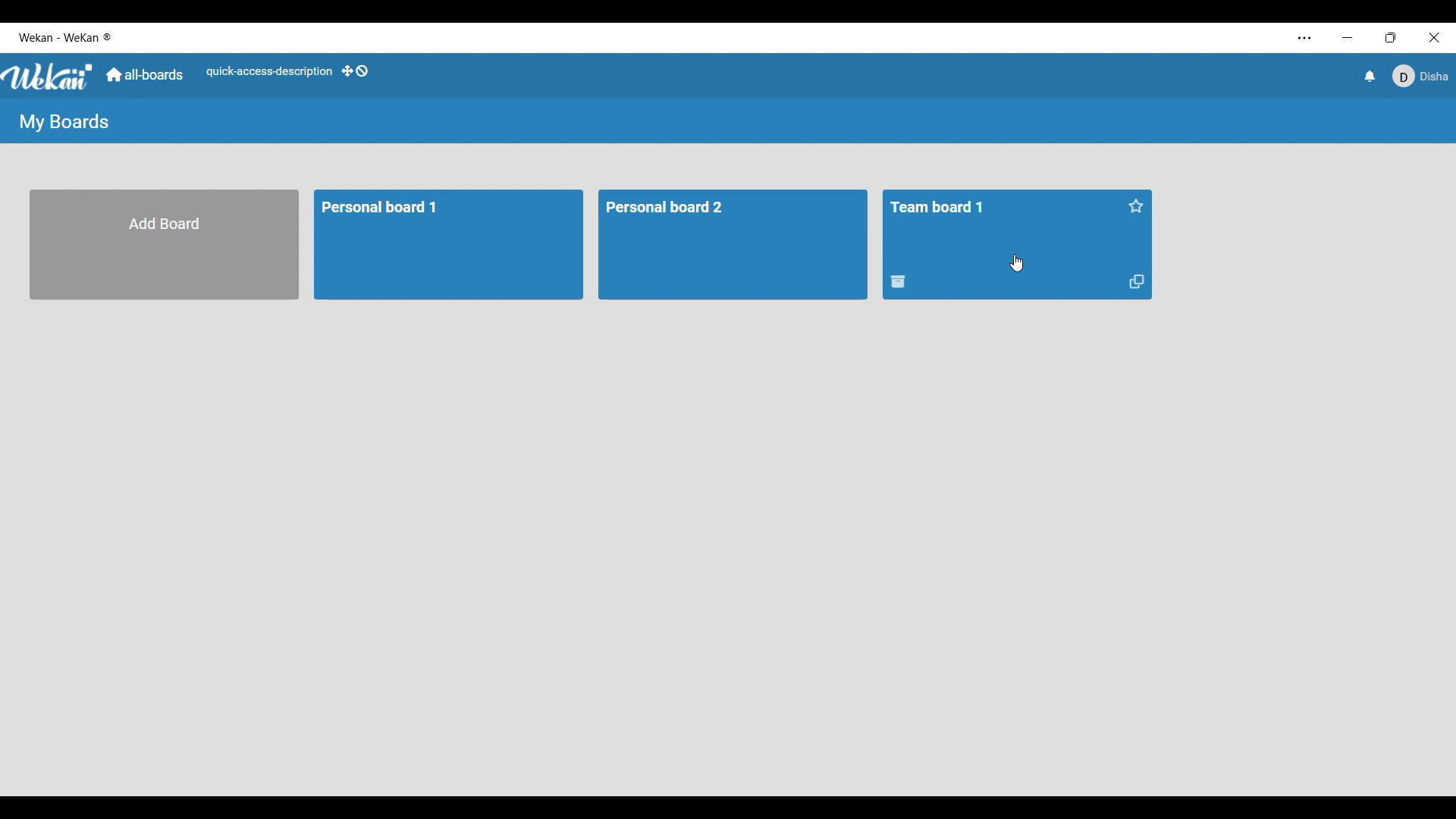 Image resolution: width=1456 pixels, height=819 pixels. What do you see at coordinates (1420, 77) in the screenshot?
I see `Current account ` at bounding box center [1420, 77].